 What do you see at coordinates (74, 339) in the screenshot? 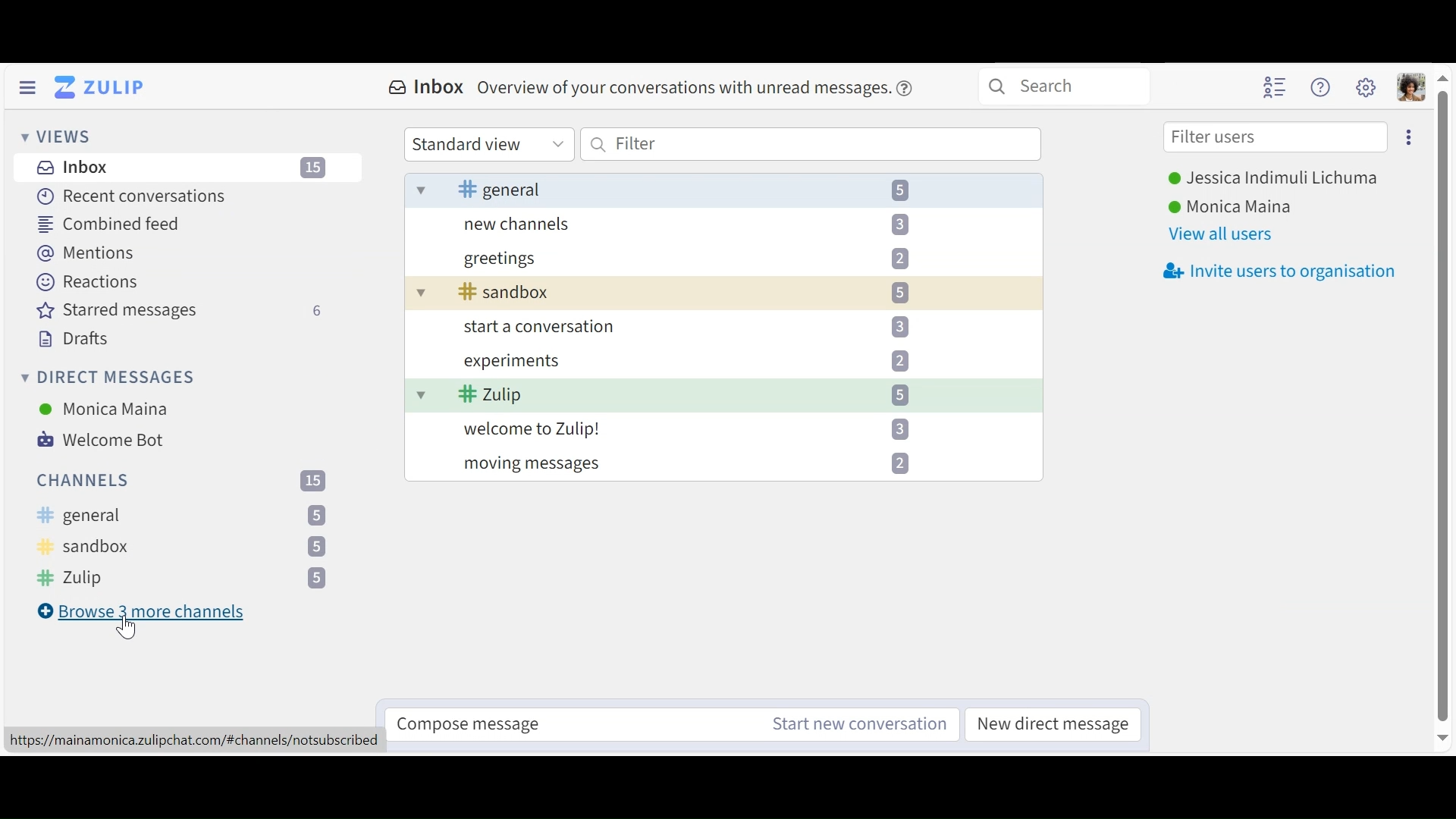
I see `Drafts` at bounding box center [74, 339].